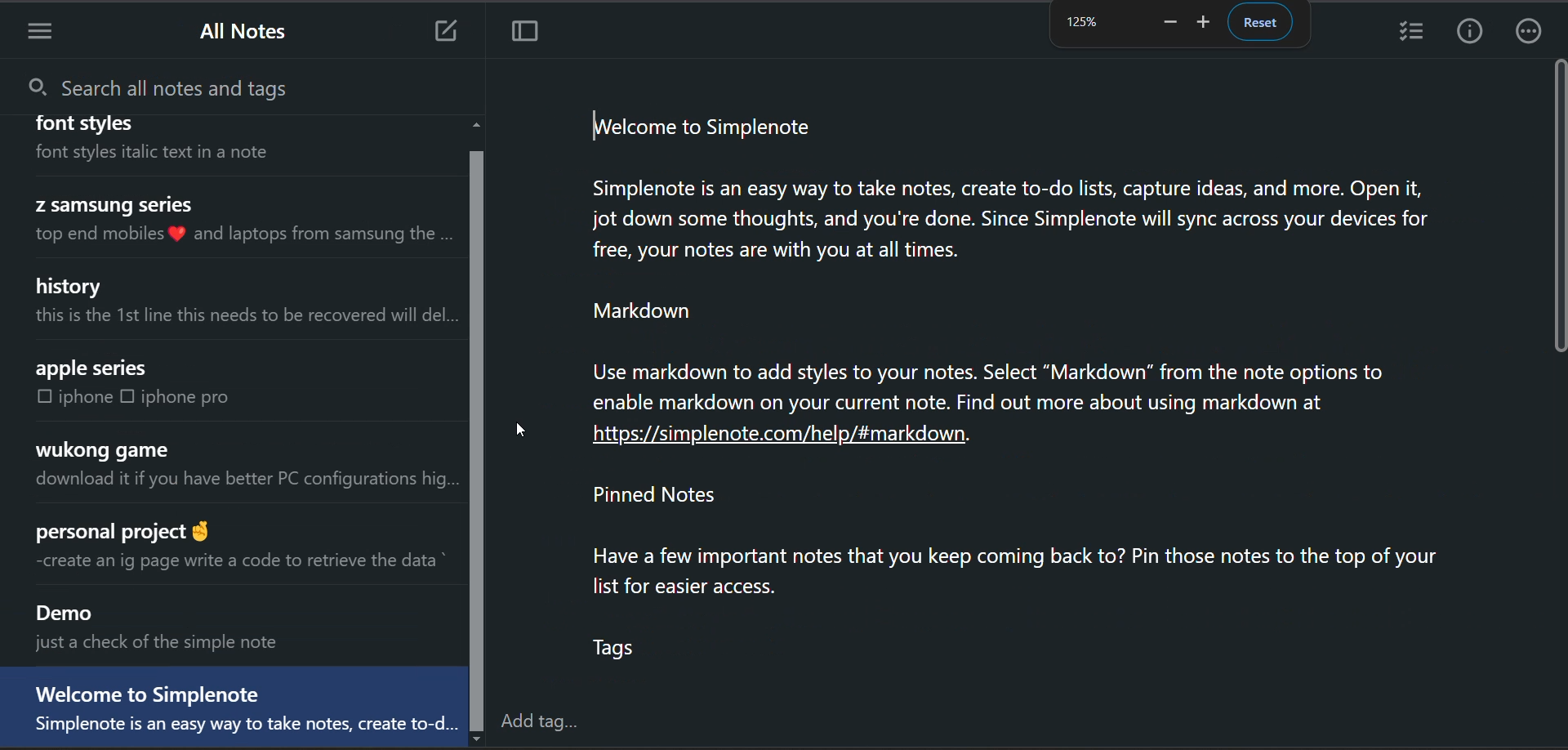 This screenshot has height=750, width=1568. What do you see at coordinates (791, 440) in the screenshot?
I see `https://simplenote.com/help/#markdown.` at bounding box center [791, 440].